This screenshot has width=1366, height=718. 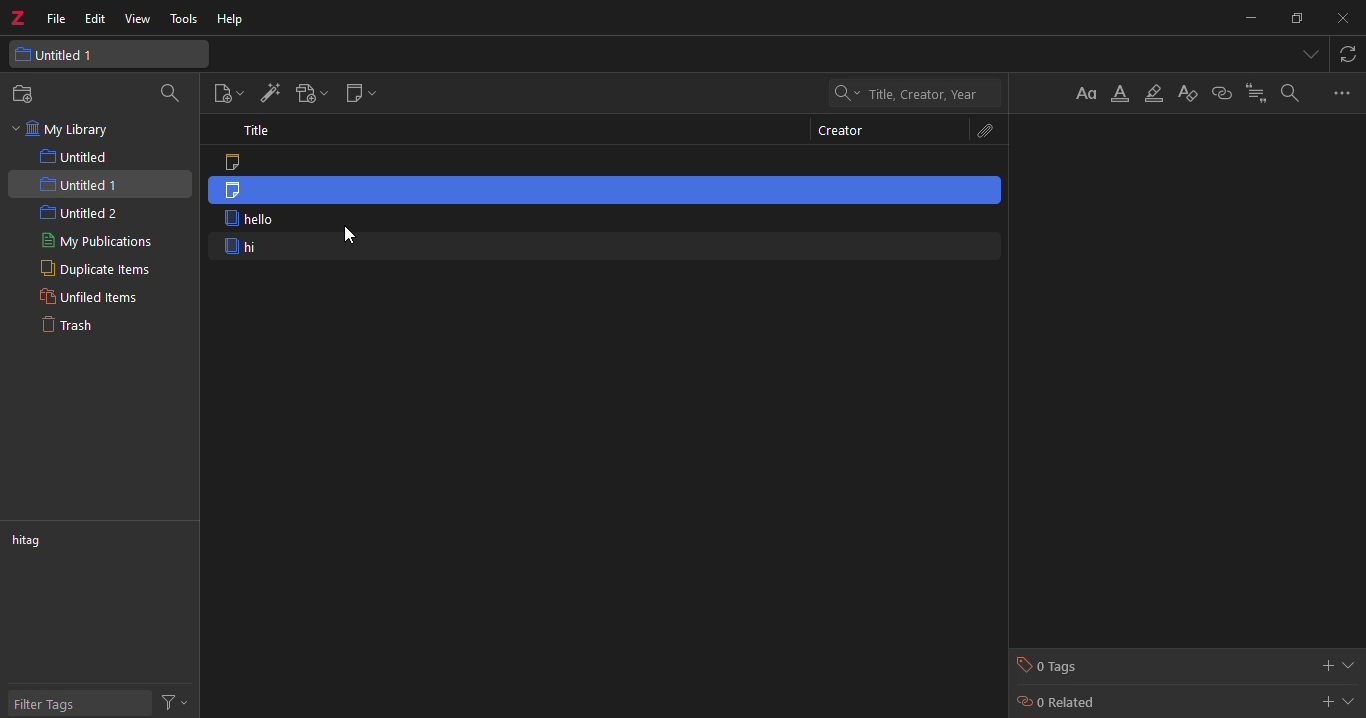 I want to click on edit, so click(x=95, y=21).